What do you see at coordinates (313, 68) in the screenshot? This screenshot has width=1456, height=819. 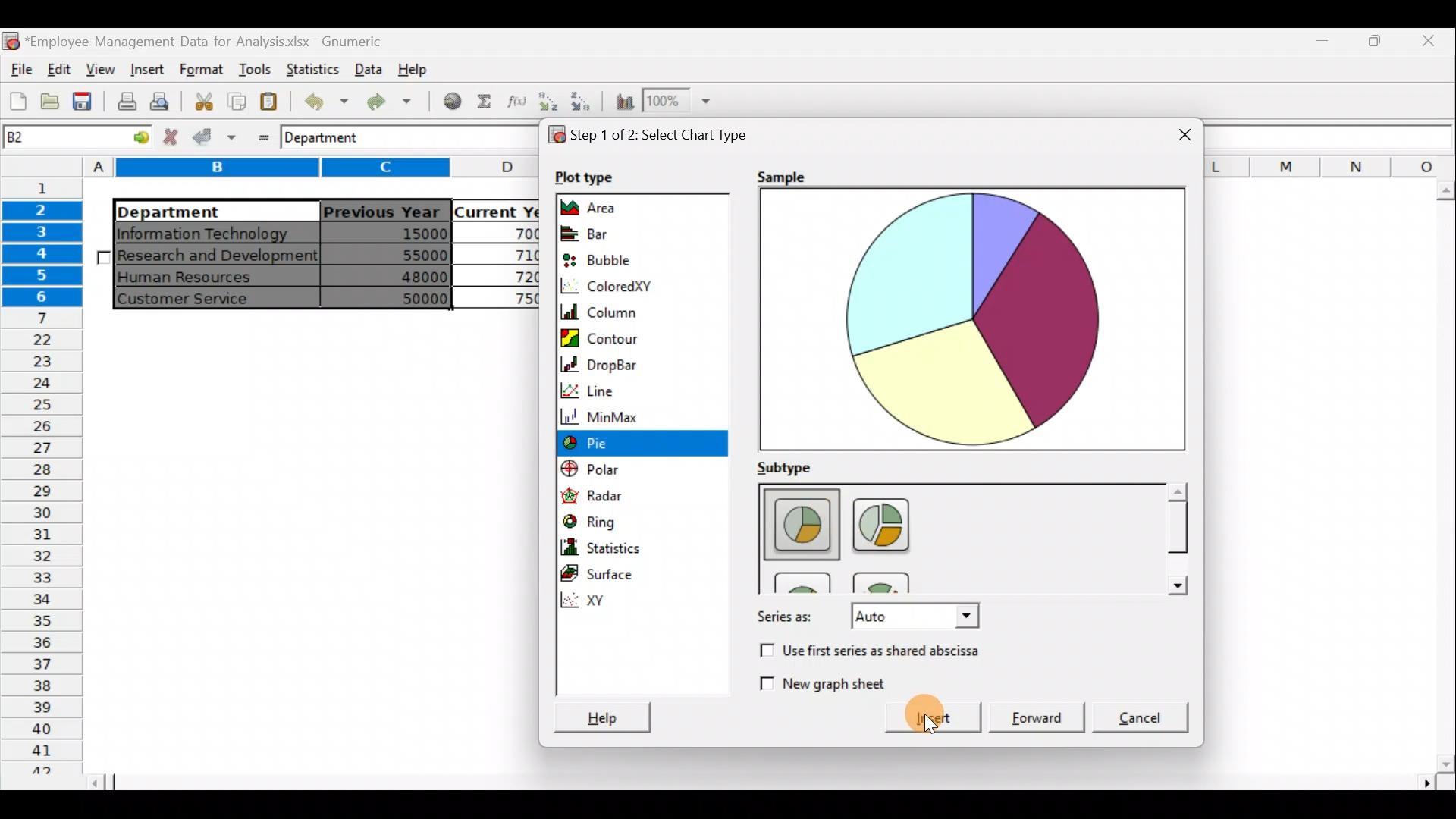 I see `Statistics` at bounding box center [313, 68].